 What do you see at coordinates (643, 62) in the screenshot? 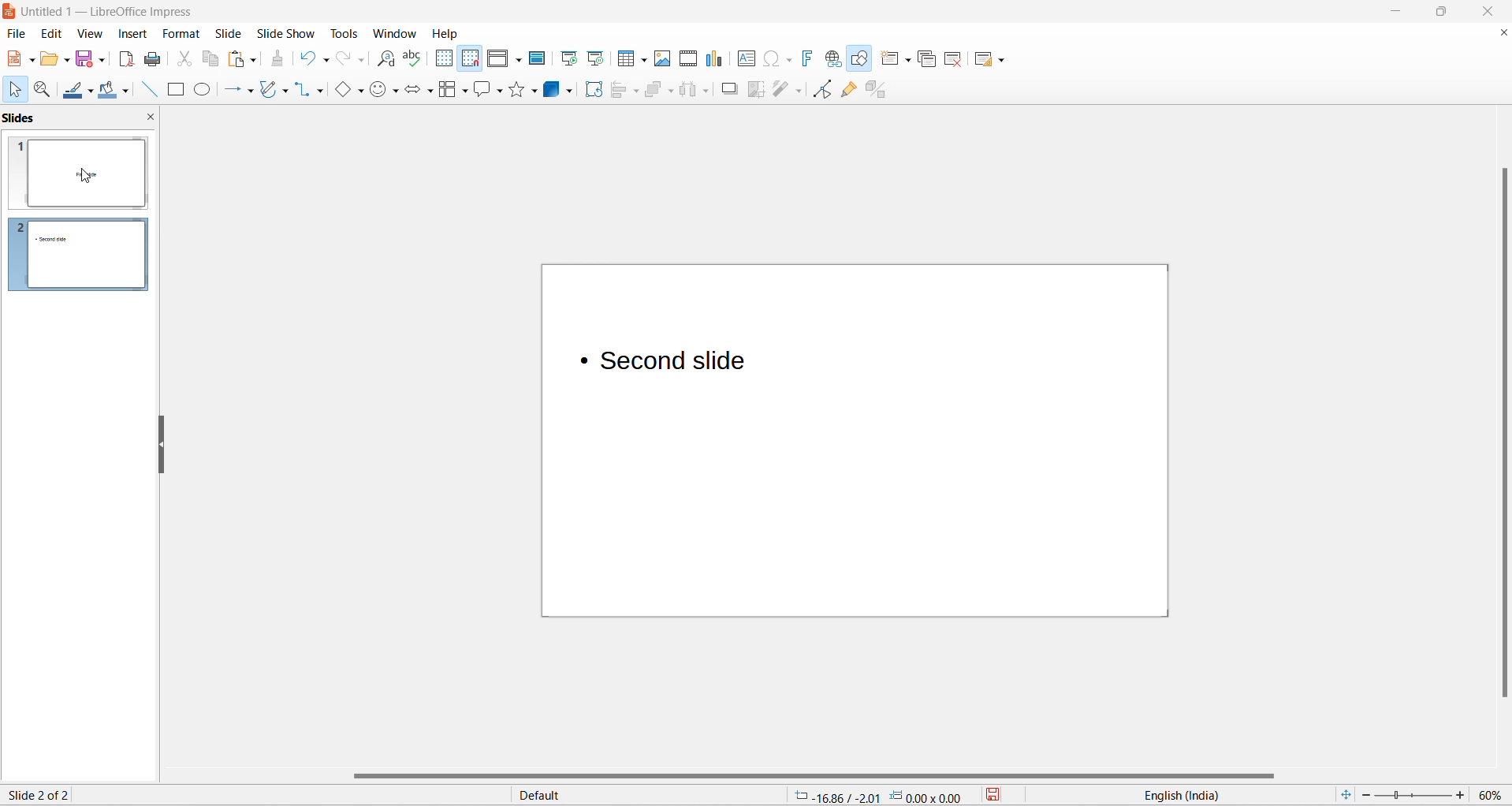
I see `table grid` at bounding box center [643, 62].